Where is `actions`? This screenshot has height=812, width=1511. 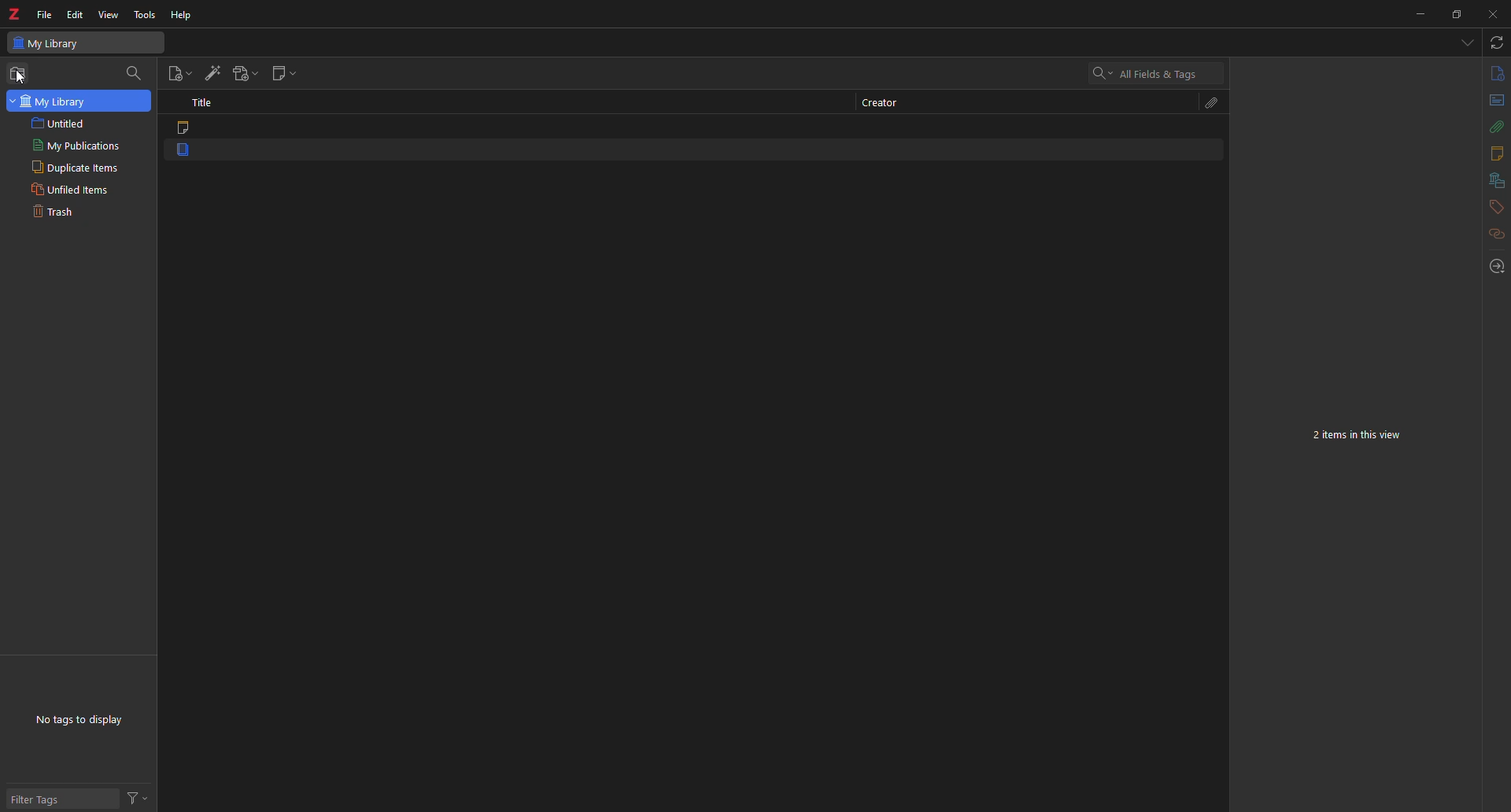
actions is located at coordinates (142, 795).